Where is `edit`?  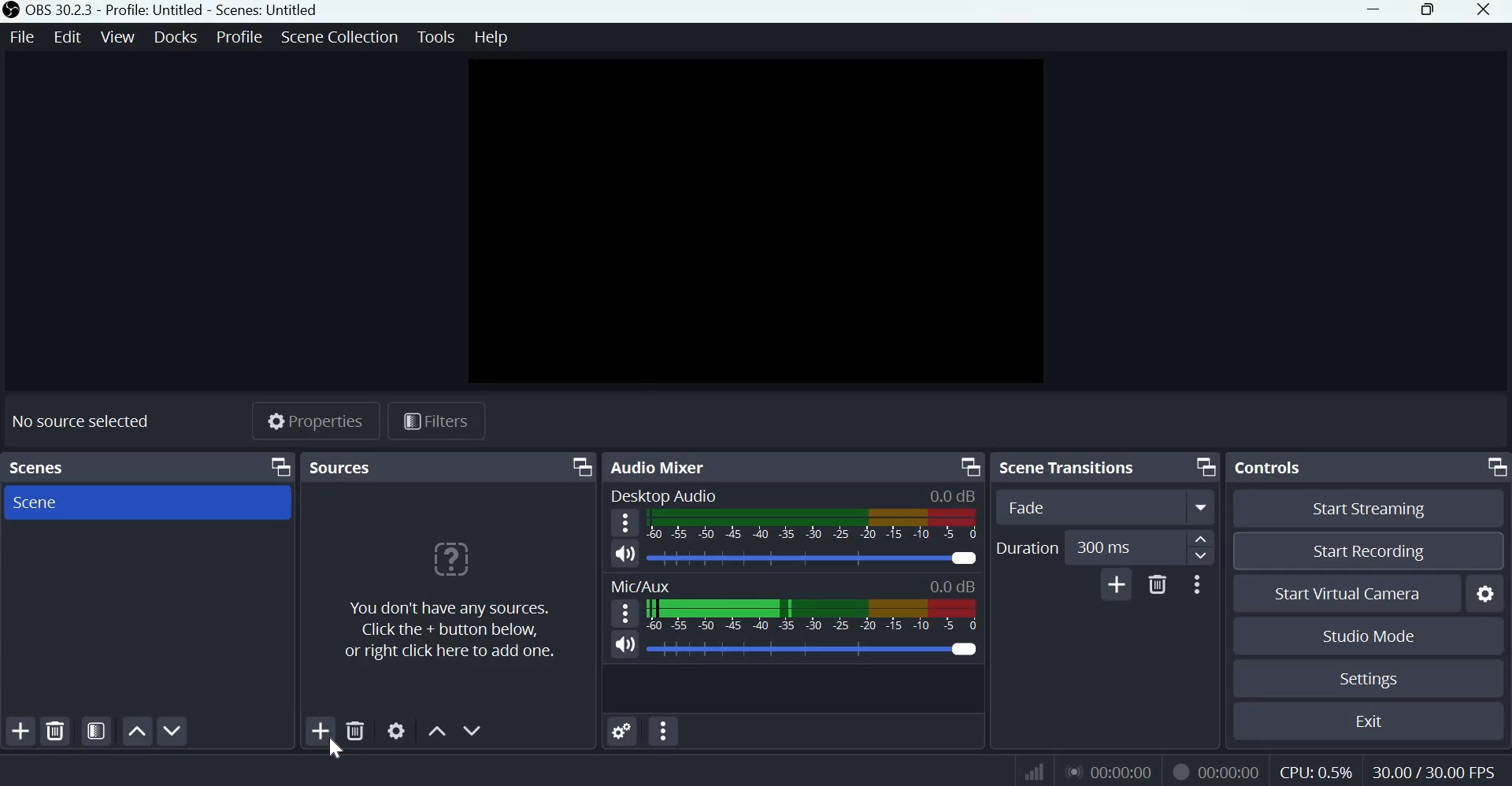 edit is located at coordinates (68, 35).